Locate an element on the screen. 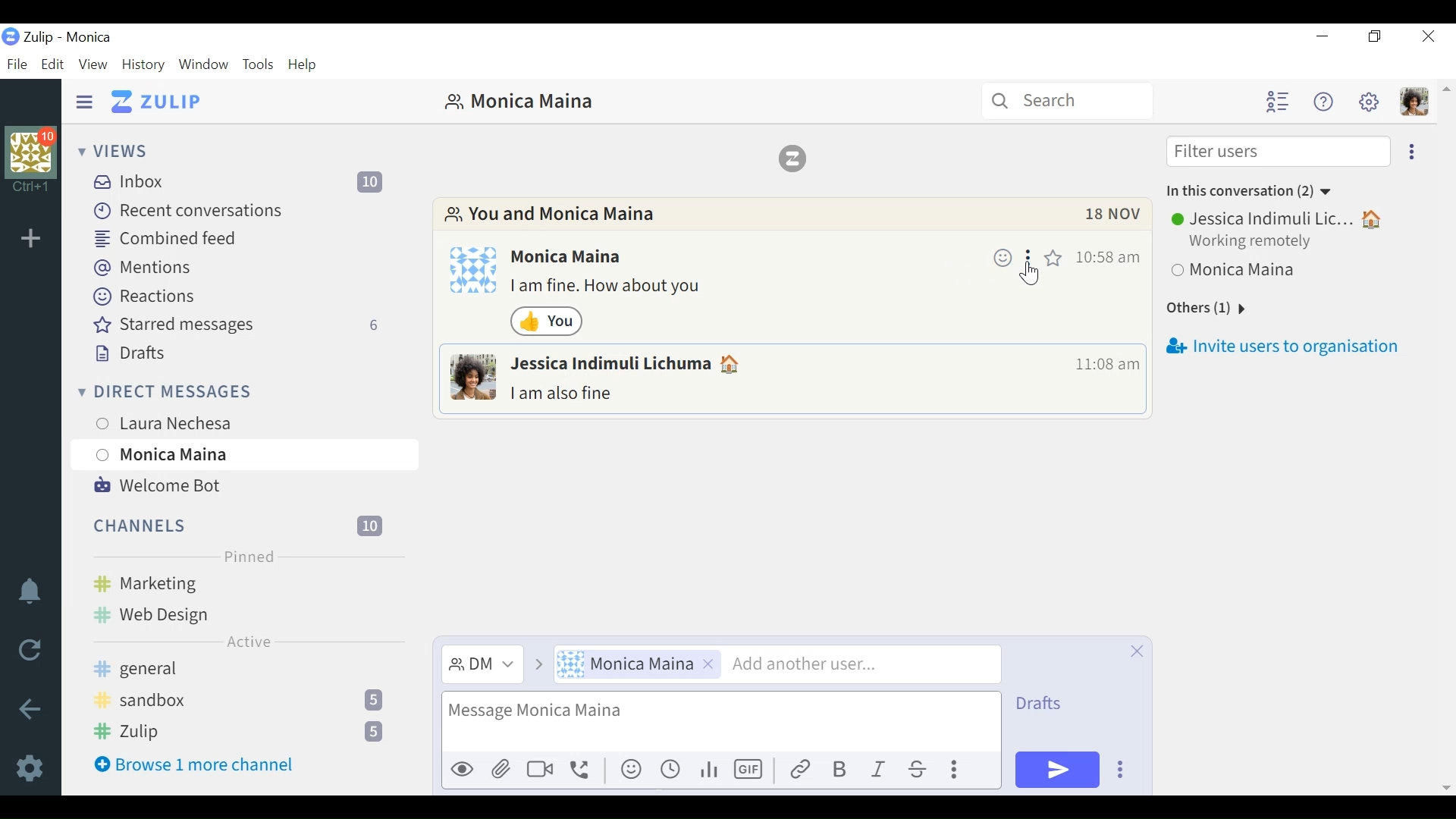 This screenshot has height=819, width=1456. Zulip is located at coordinates (246, 732).